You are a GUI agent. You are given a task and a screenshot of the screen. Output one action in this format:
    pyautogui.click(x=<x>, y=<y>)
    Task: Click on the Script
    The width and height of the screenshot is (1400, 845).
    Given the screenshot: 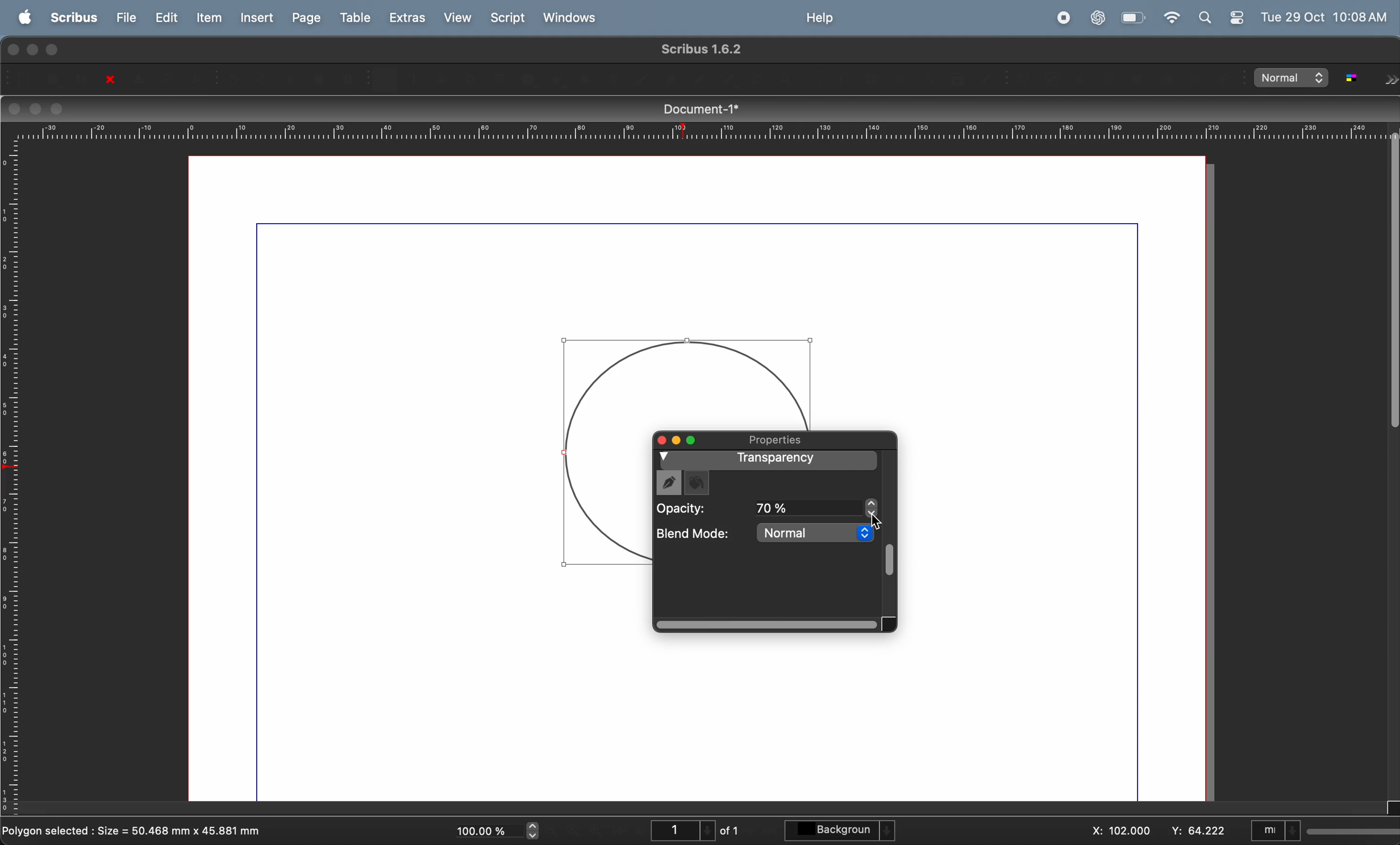 What is the action you would take?
    pyautogui.click(x=510, y=18)
    